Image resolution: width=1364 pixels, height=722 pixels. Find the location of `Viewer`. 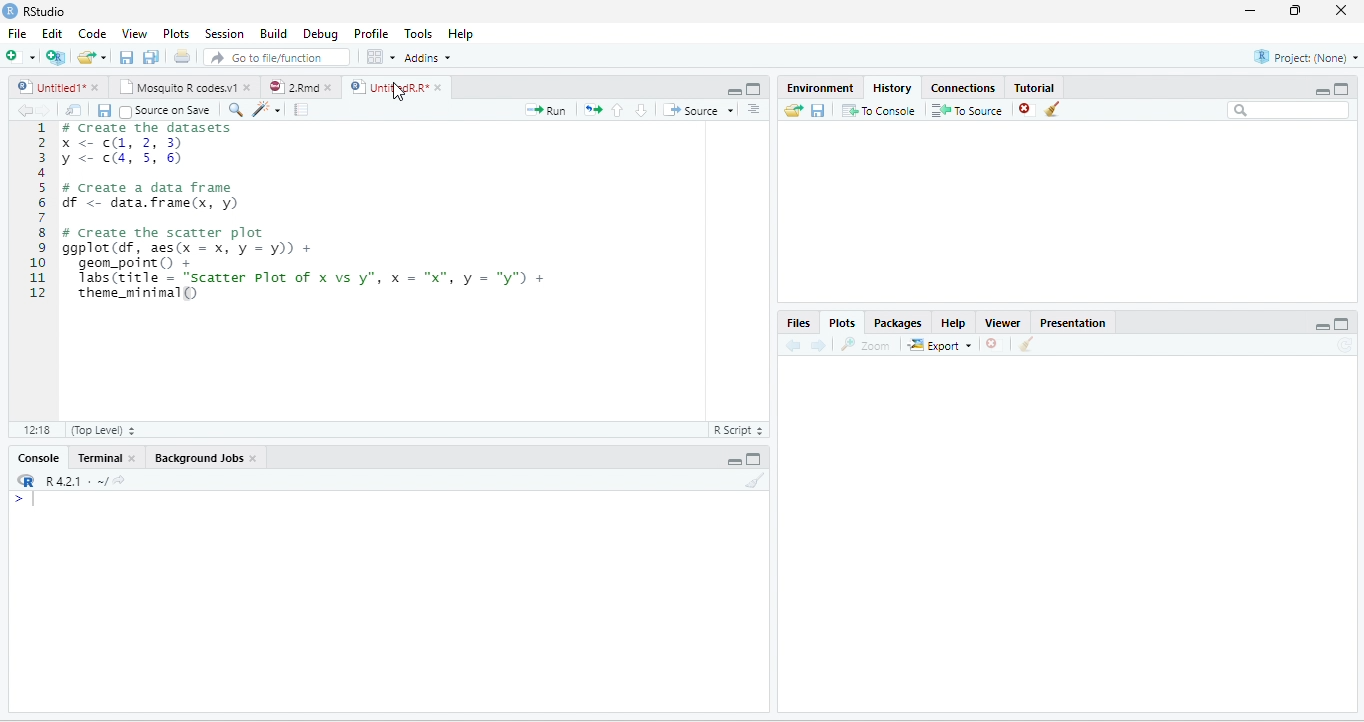

Viewer is located at coordinates (1004, 322).